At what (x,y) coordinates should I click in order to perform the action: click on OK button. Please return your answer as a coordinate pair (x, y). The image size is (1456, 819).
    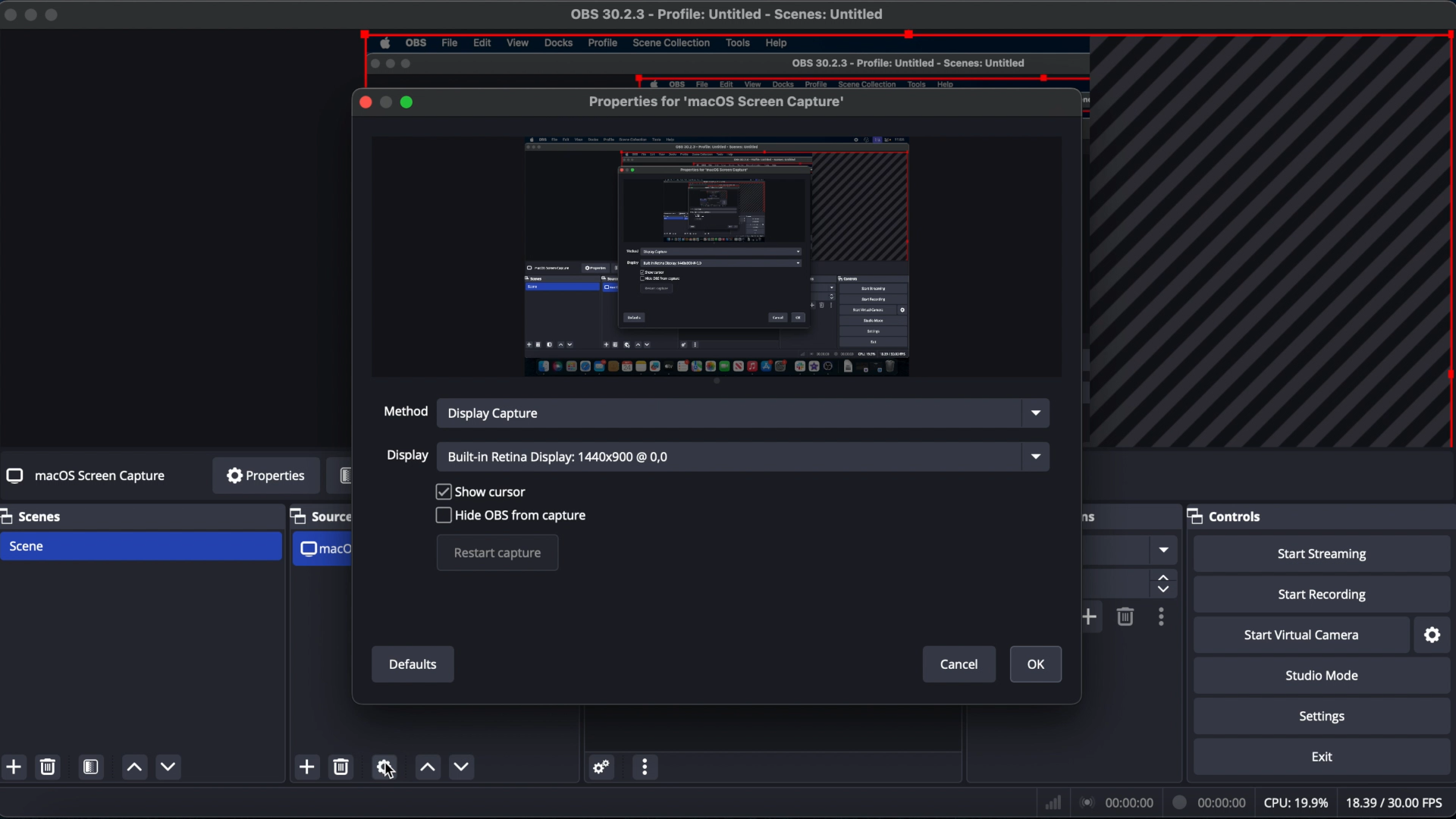
    Looking at the image, I should click on (1036, 664).